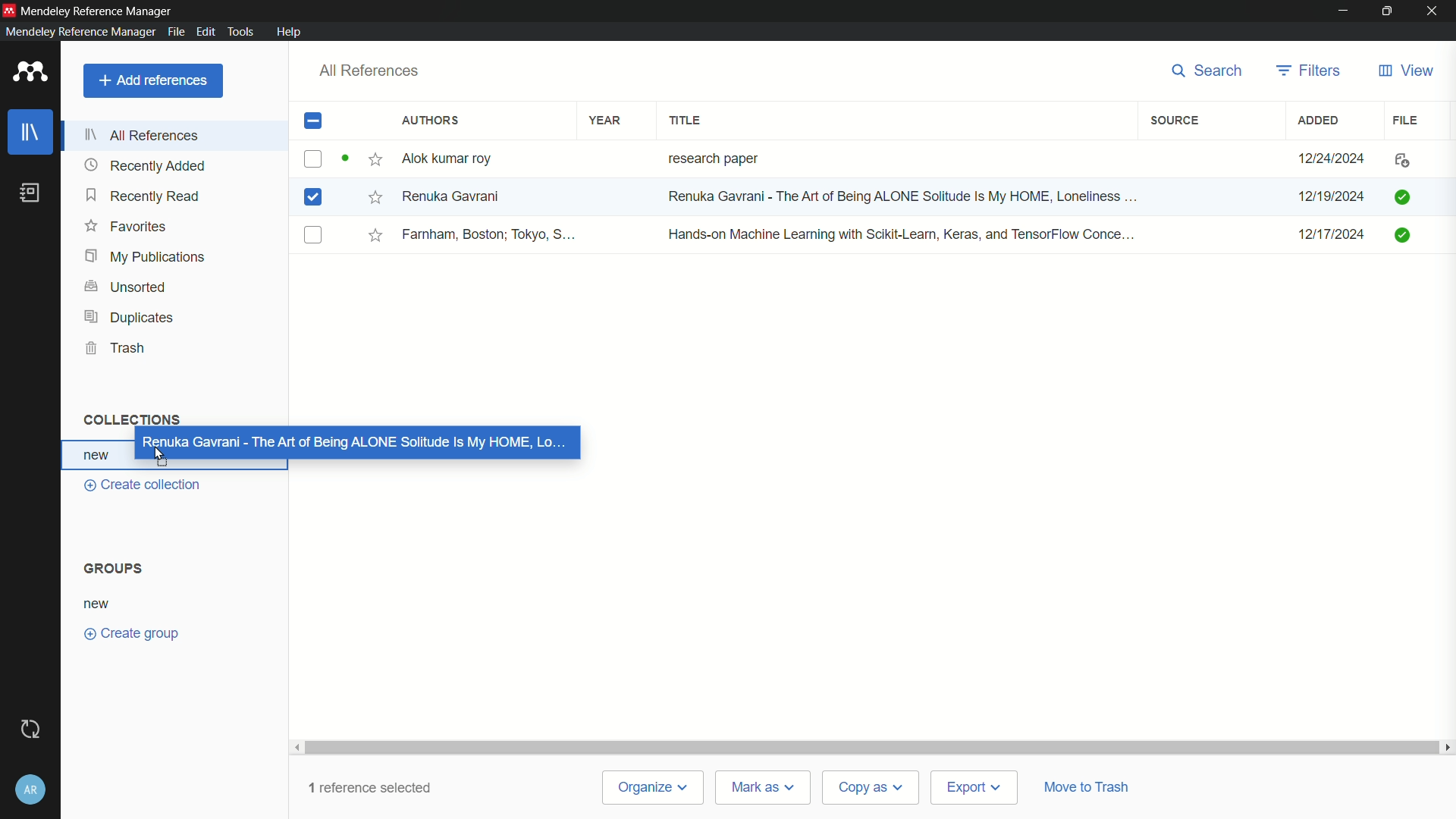 This screenshot has height=819, width=1456. I want to click on book, so click(29, 193).